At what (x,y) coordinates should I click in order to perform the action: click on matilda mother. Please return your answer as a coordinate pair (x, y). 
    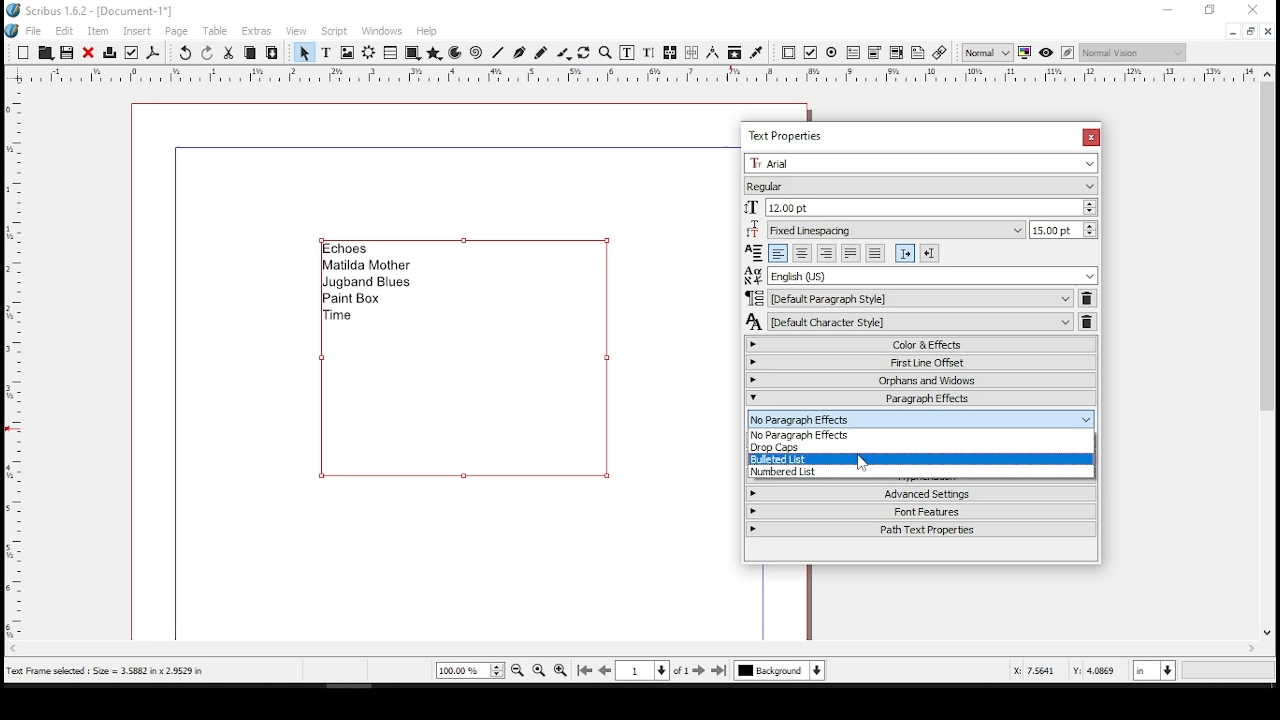
    Looking at the image, I should click on (367, 266).